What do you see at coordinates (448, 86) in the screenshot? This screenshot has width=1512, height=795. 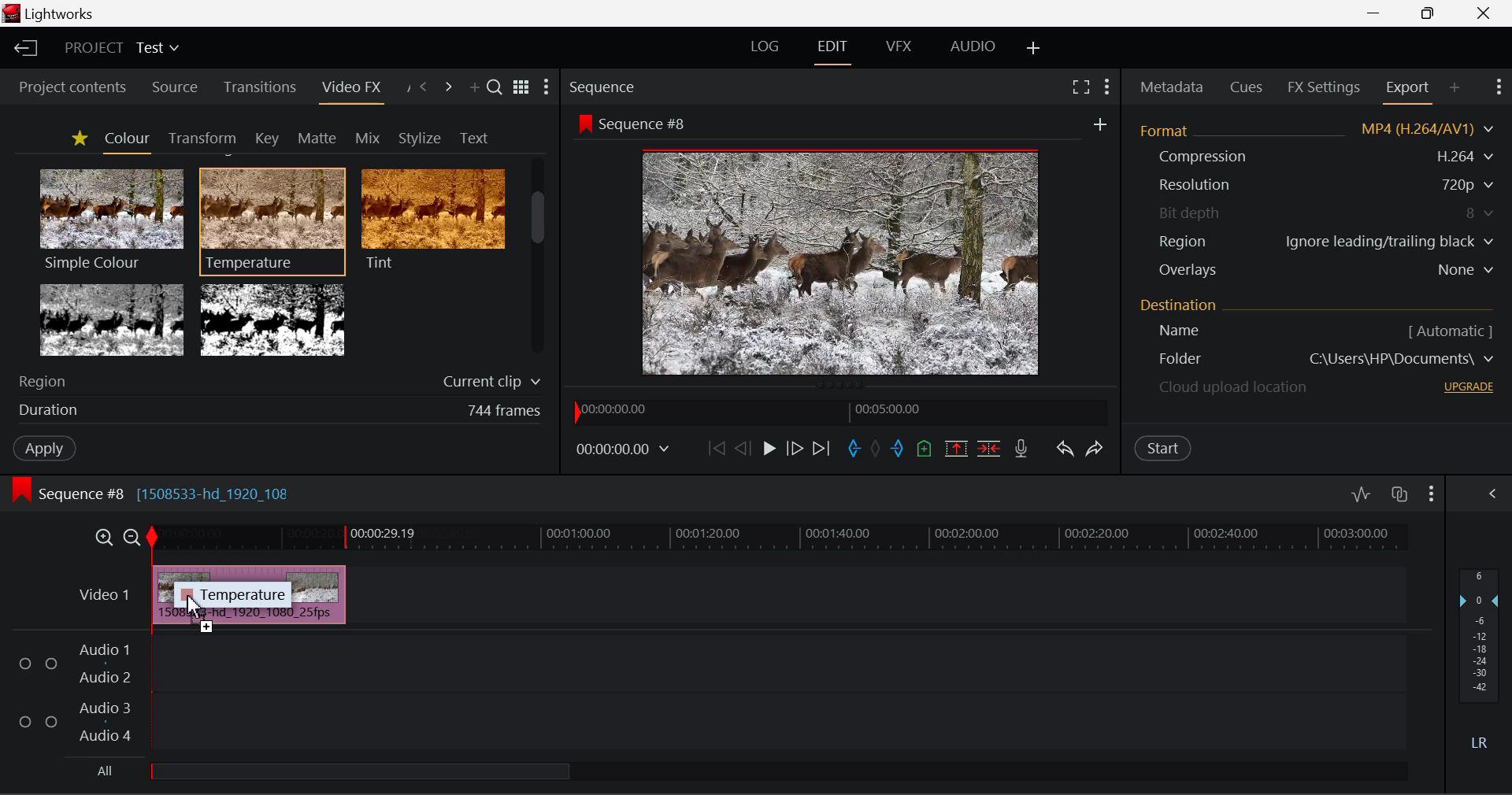 I see `Next Panel` at bounding box center [448, 86].